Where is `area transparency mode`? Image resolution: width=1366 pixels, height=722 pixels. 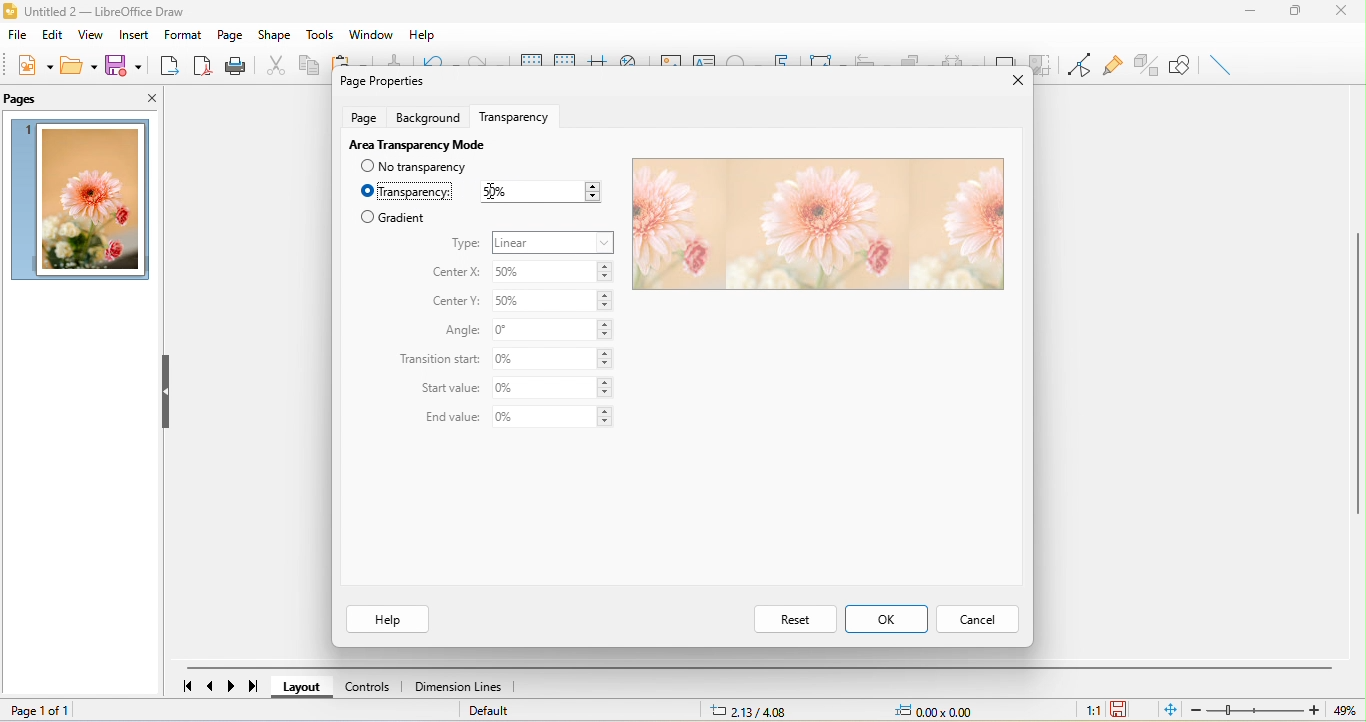
area transparency mode is located at coordinates (415, 143).